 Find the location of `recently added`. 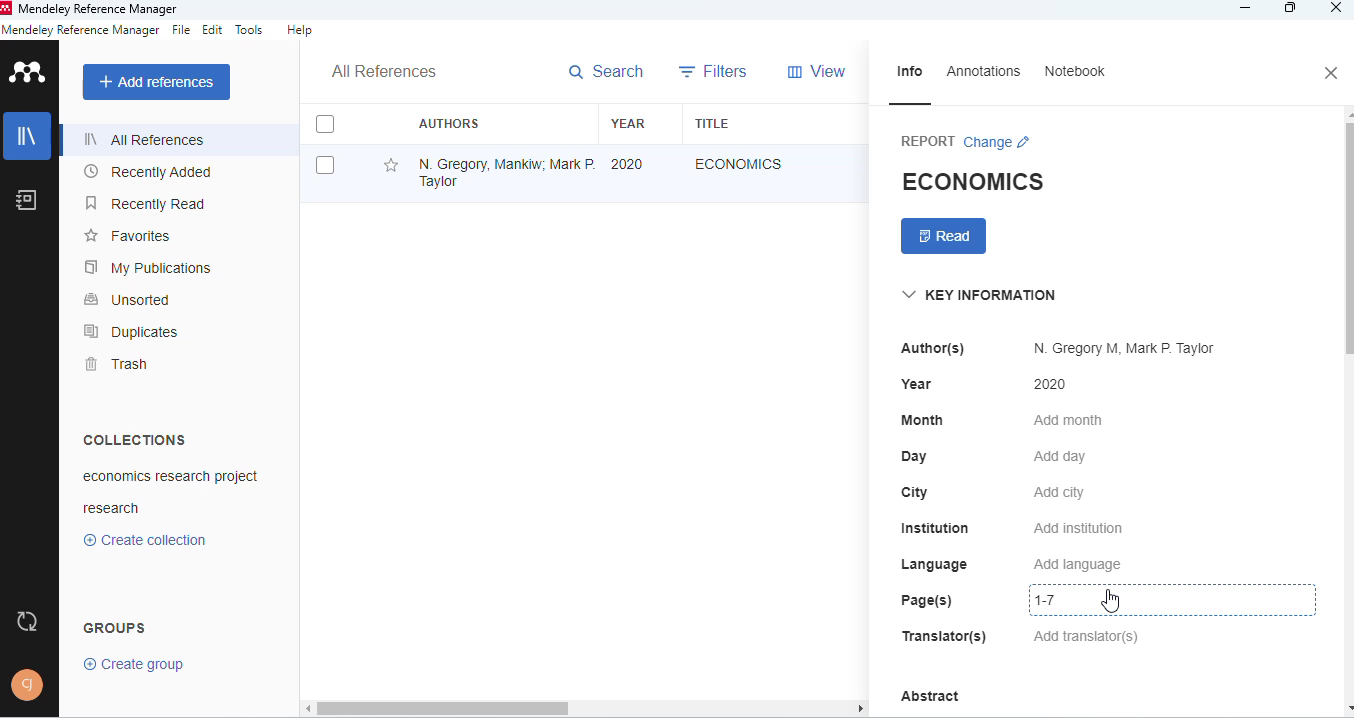

recently added is located at coordinates (146, 172).